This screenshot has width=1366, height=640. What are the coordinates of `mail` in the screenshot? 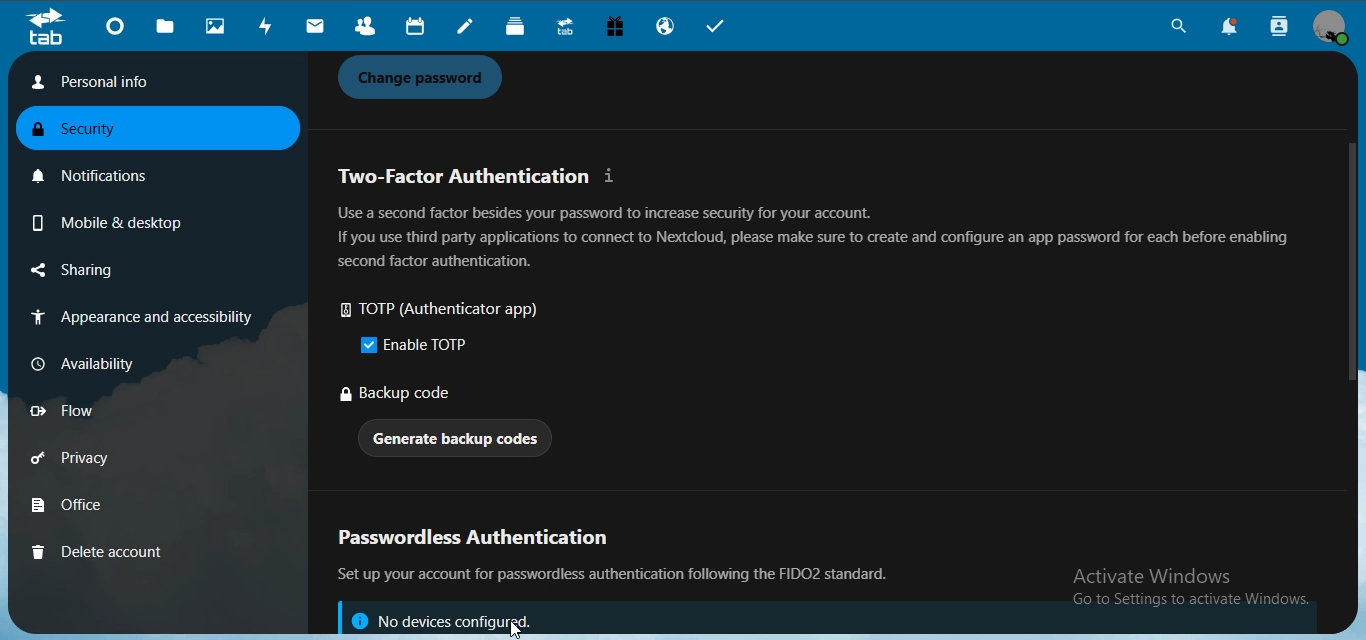 It's located at (316, 27).